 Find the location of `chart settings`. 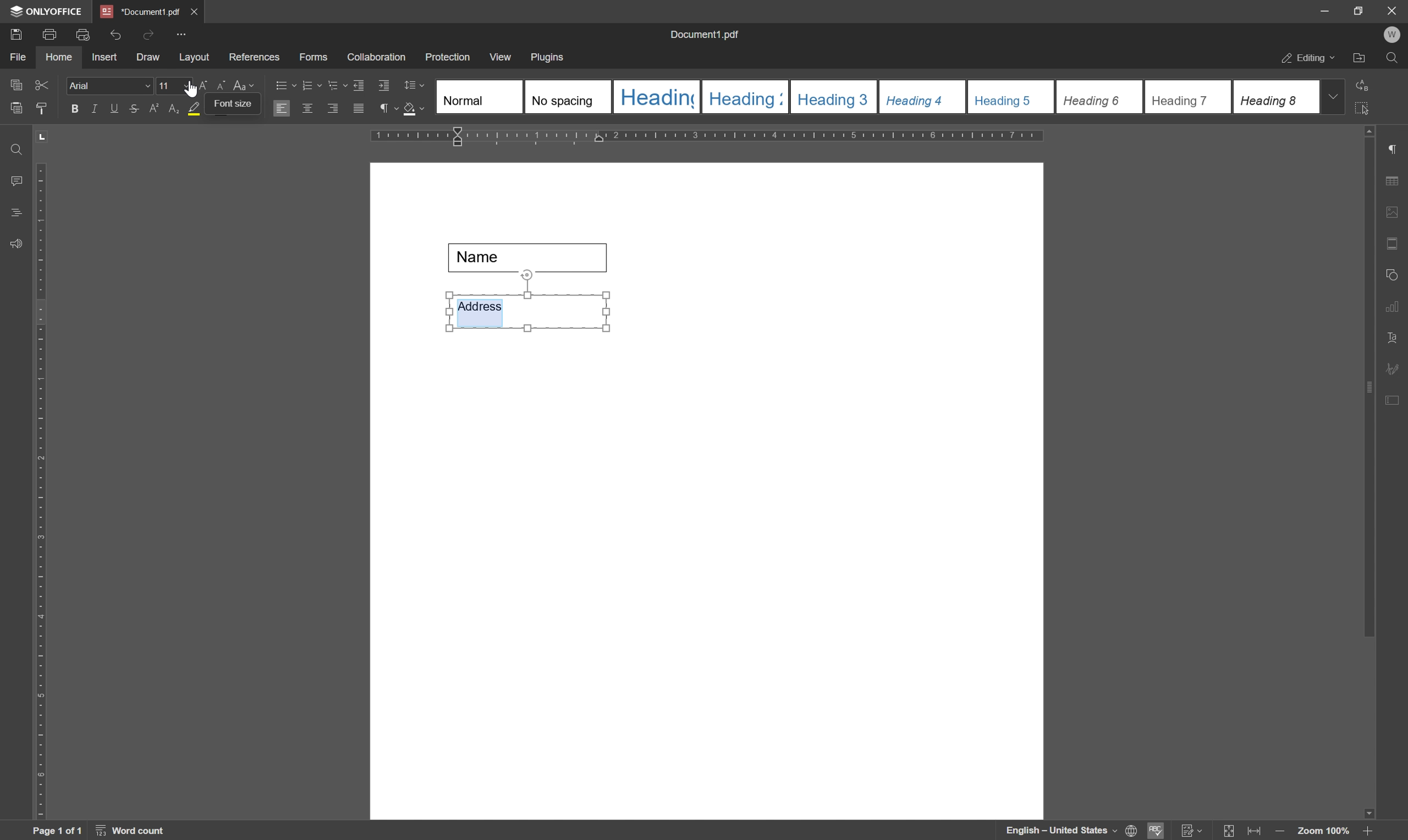

chart settings is located at coordinates (1396, 309).